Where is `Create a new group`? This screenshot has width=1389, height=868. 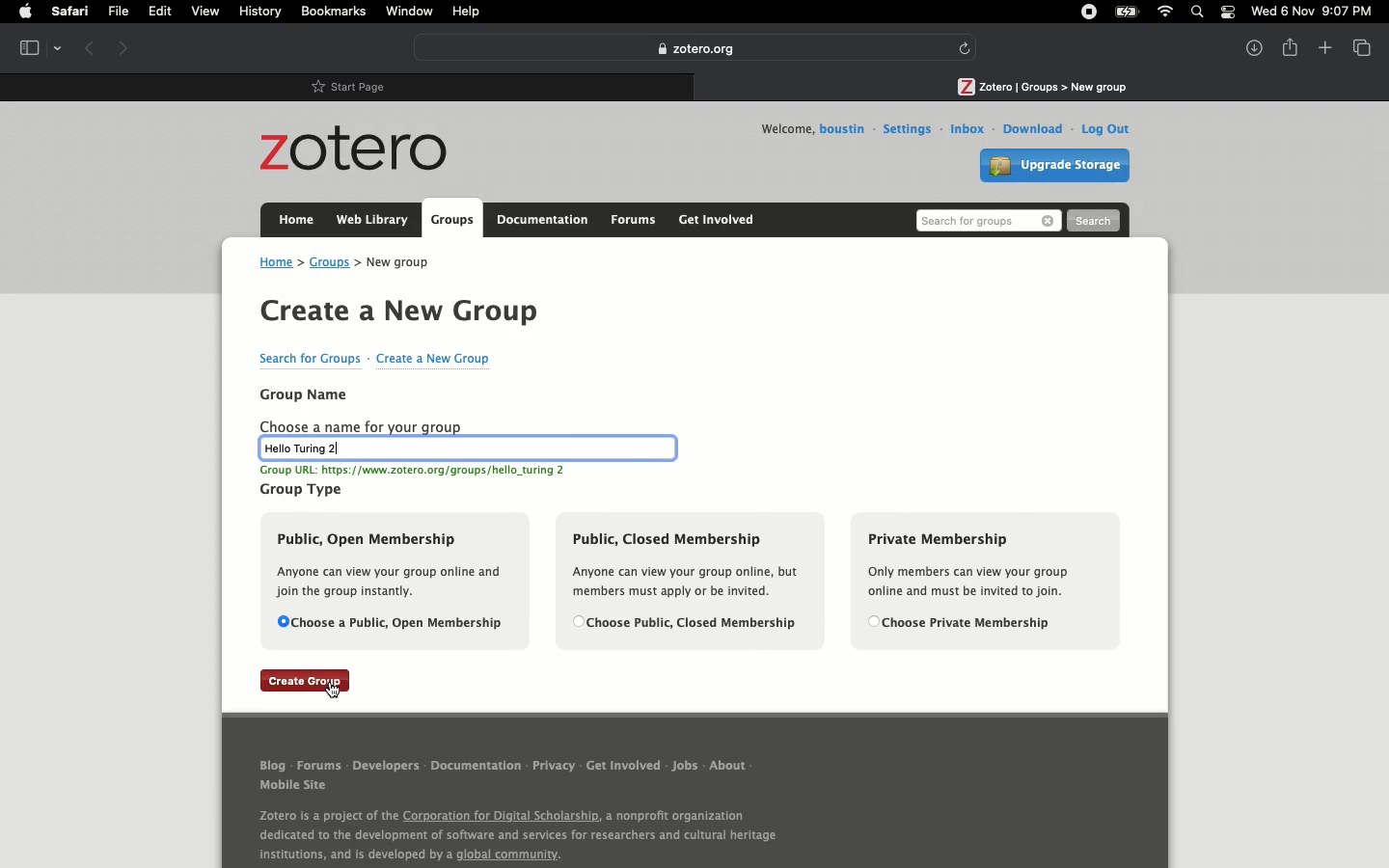
Create a new group is located at coordinates (399, 313).